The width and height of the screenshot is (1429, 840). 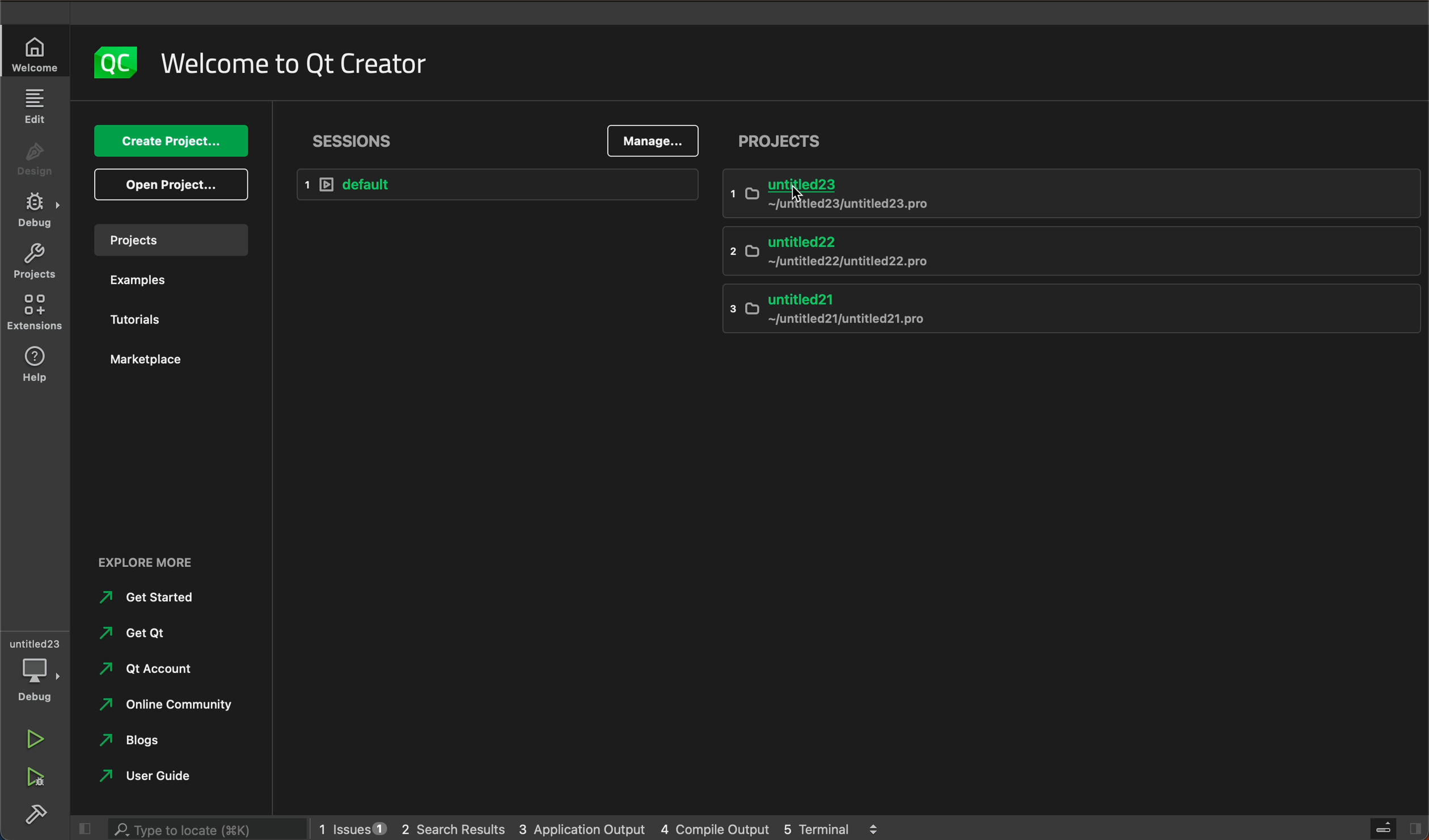 I want to click on cursor, so click(x=799, y=193).